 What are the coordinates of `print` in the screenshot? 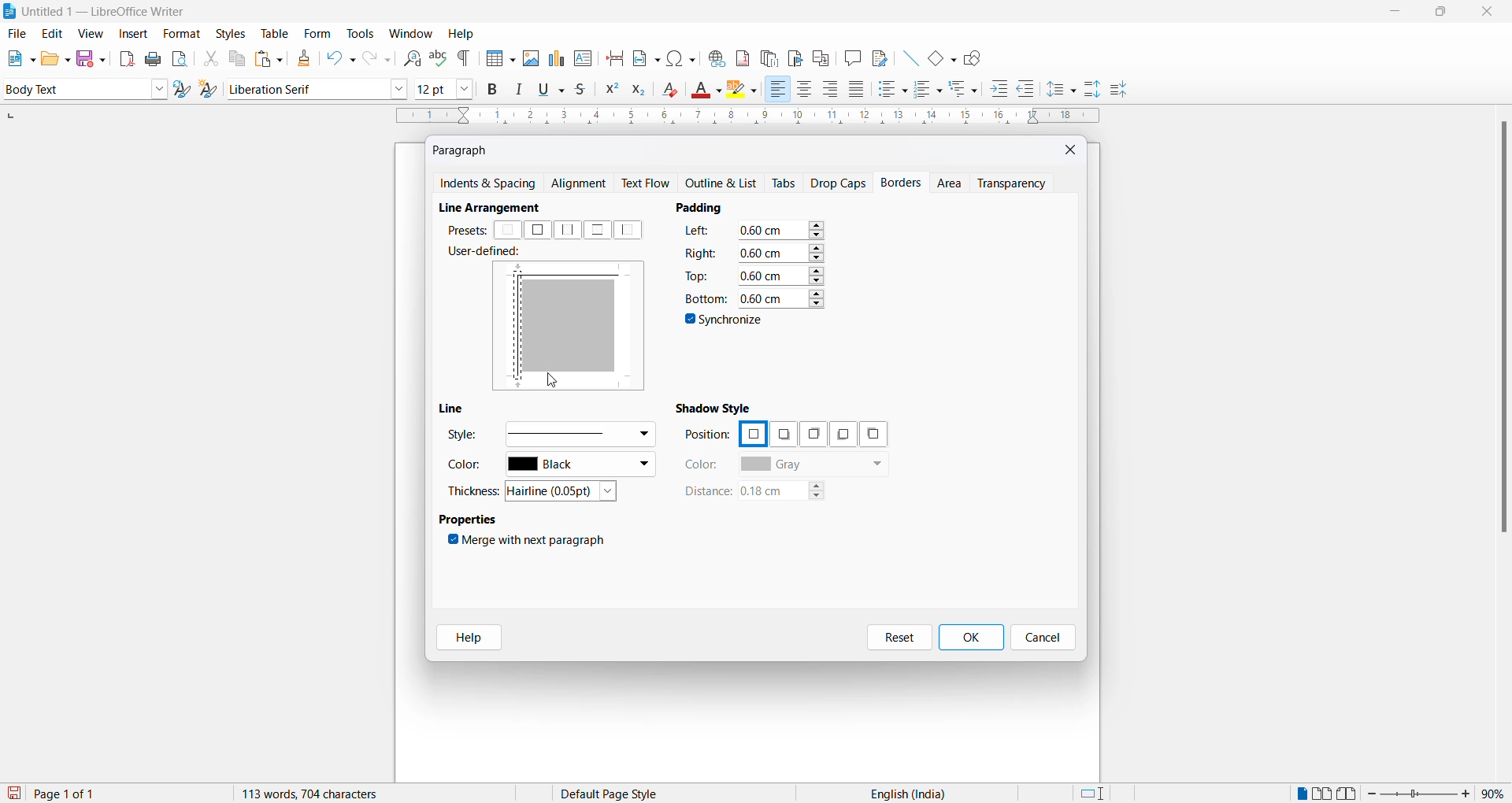 It's located at (154, 59).